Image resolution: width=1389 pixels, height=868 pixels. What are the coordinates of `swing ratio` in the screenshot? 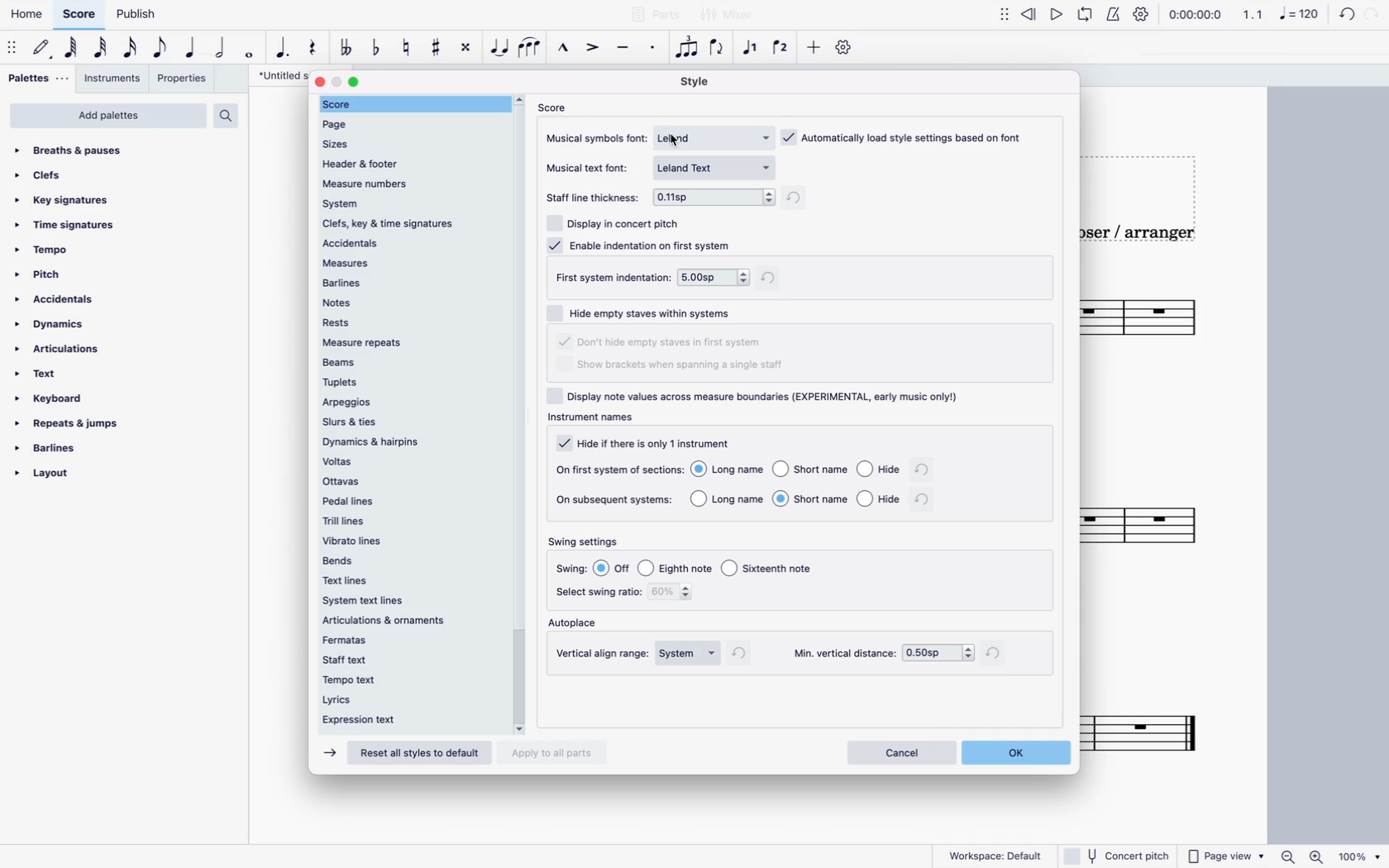 It's located at (674, 594).